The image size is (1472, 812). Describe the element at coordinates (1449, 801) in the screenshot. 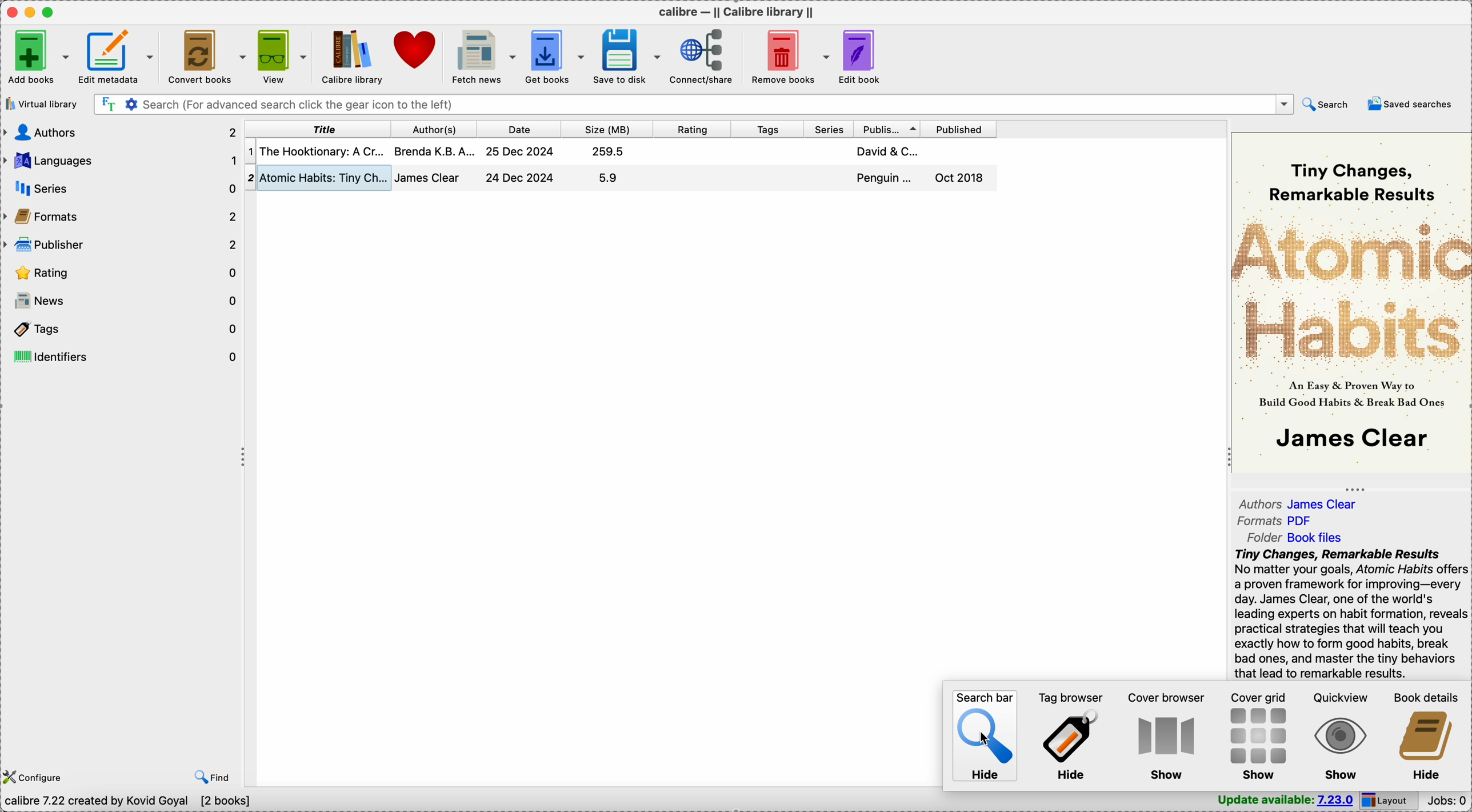

I see `Jobs: 0` at that location.